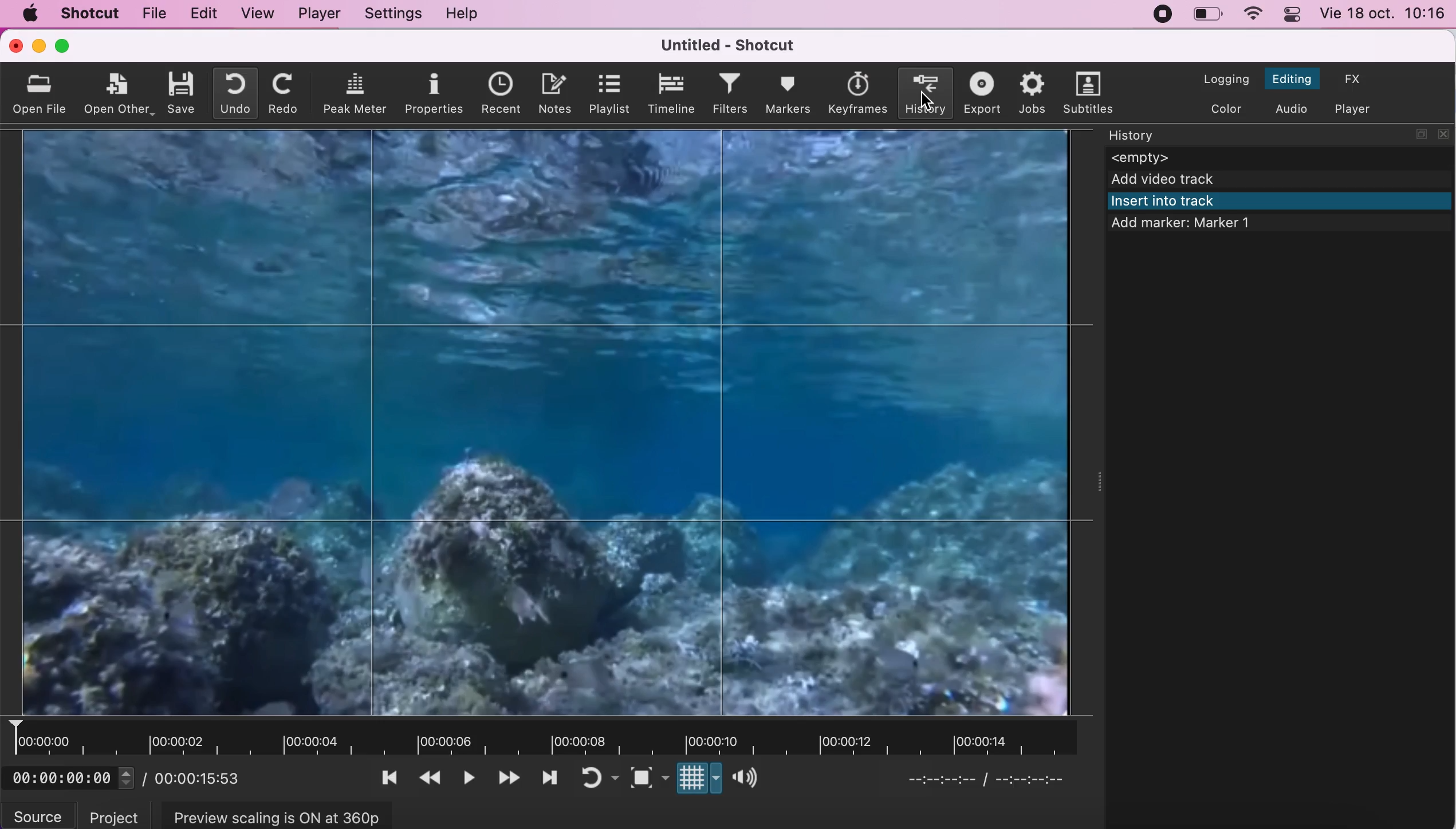 The width and height of the screenshot is (1456, 829). I want to click on switch to the player only layout, so click(1353, 107).